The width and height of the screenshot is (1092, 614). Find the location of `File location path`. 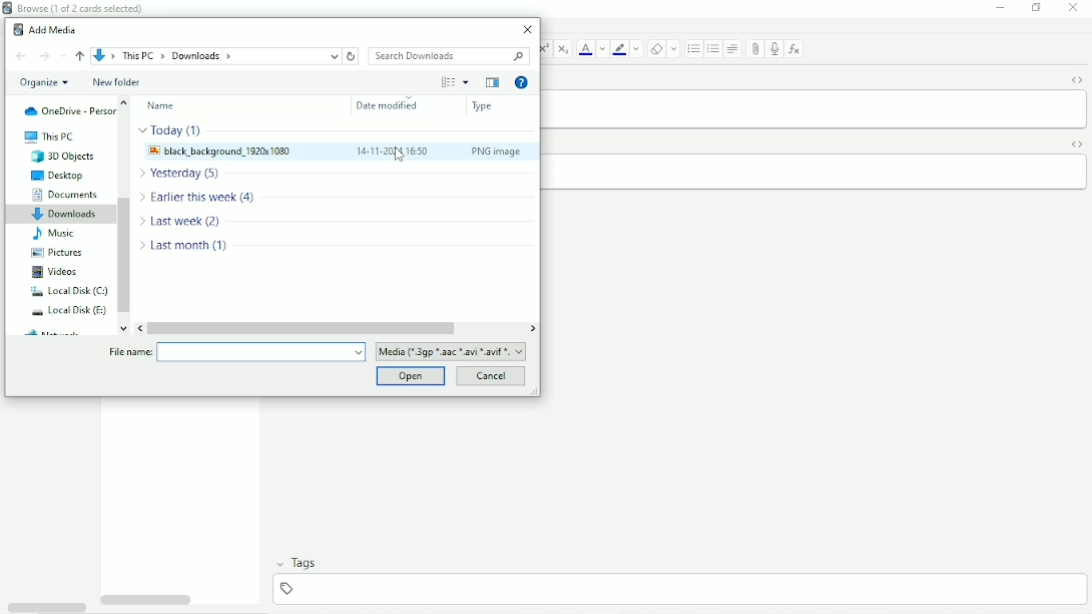

File location path is located at coordinates (205, 56).